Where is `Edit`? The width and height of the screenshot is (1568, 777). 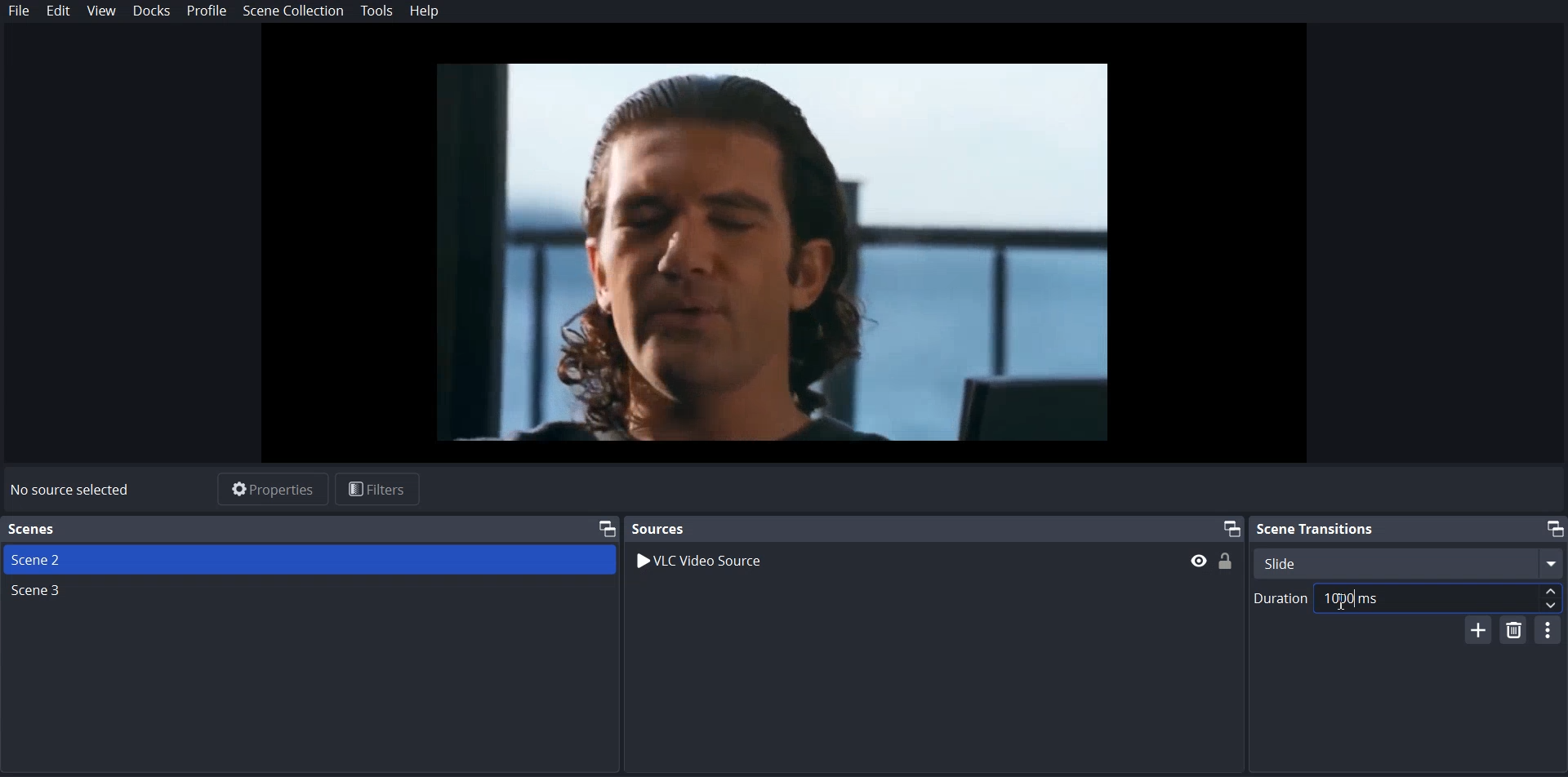
Edit is located at coordinates (58, 11).